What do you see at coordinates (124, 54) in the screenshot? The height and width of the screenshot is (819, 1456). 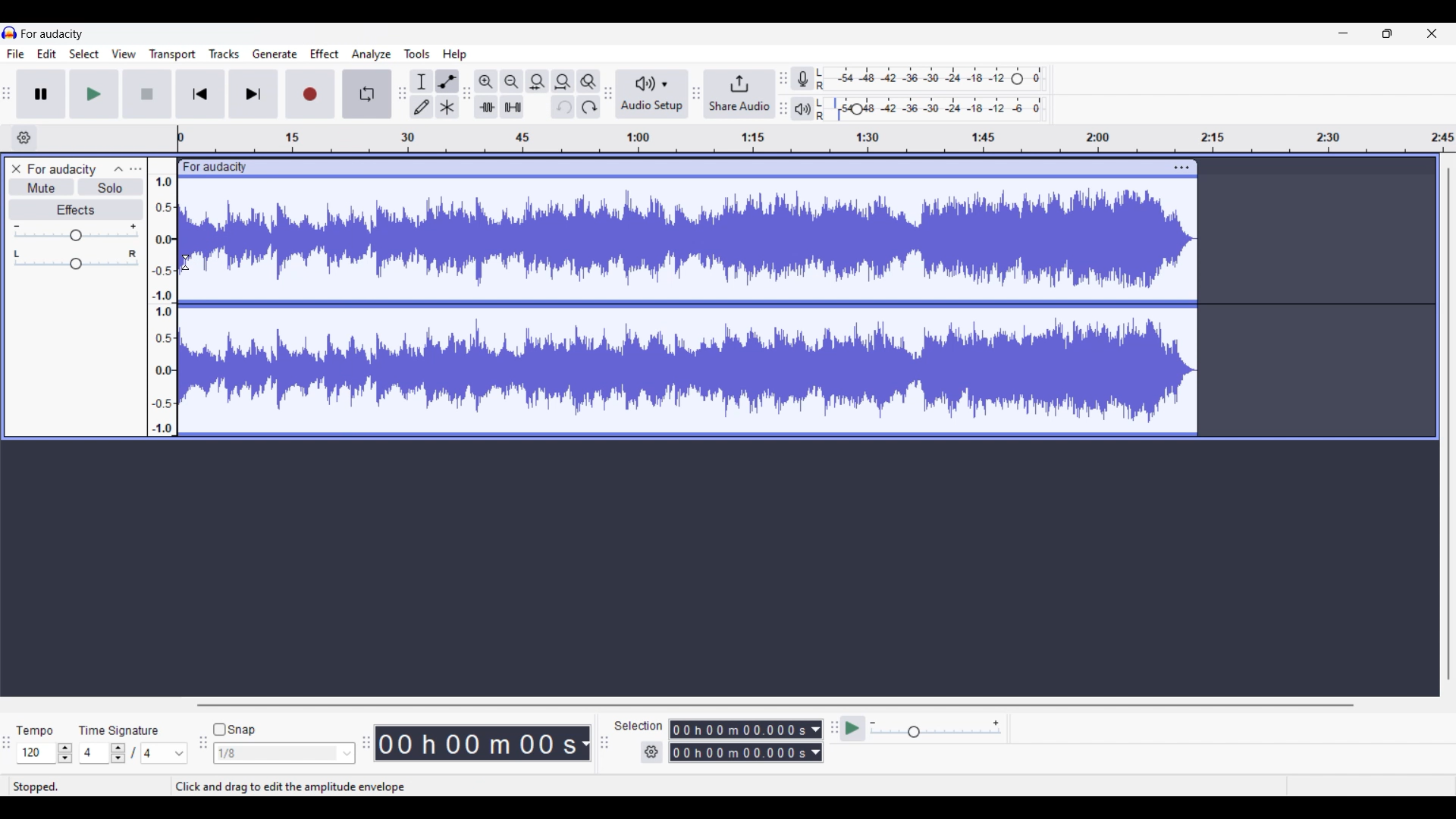 I see `View` at bounding box center [124, 54].